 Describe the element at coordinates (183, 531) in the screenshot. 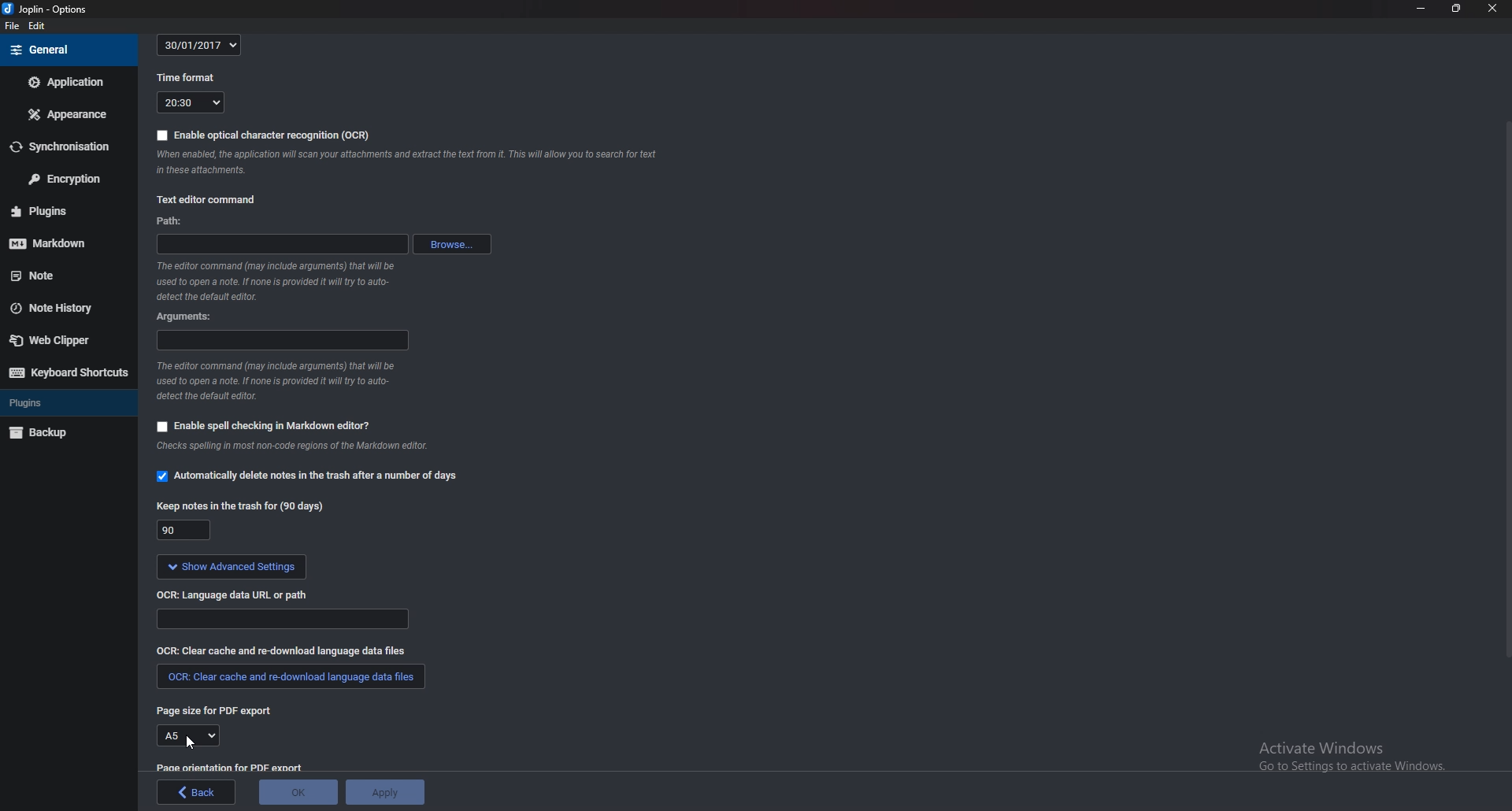

I see `90 day` at that location.